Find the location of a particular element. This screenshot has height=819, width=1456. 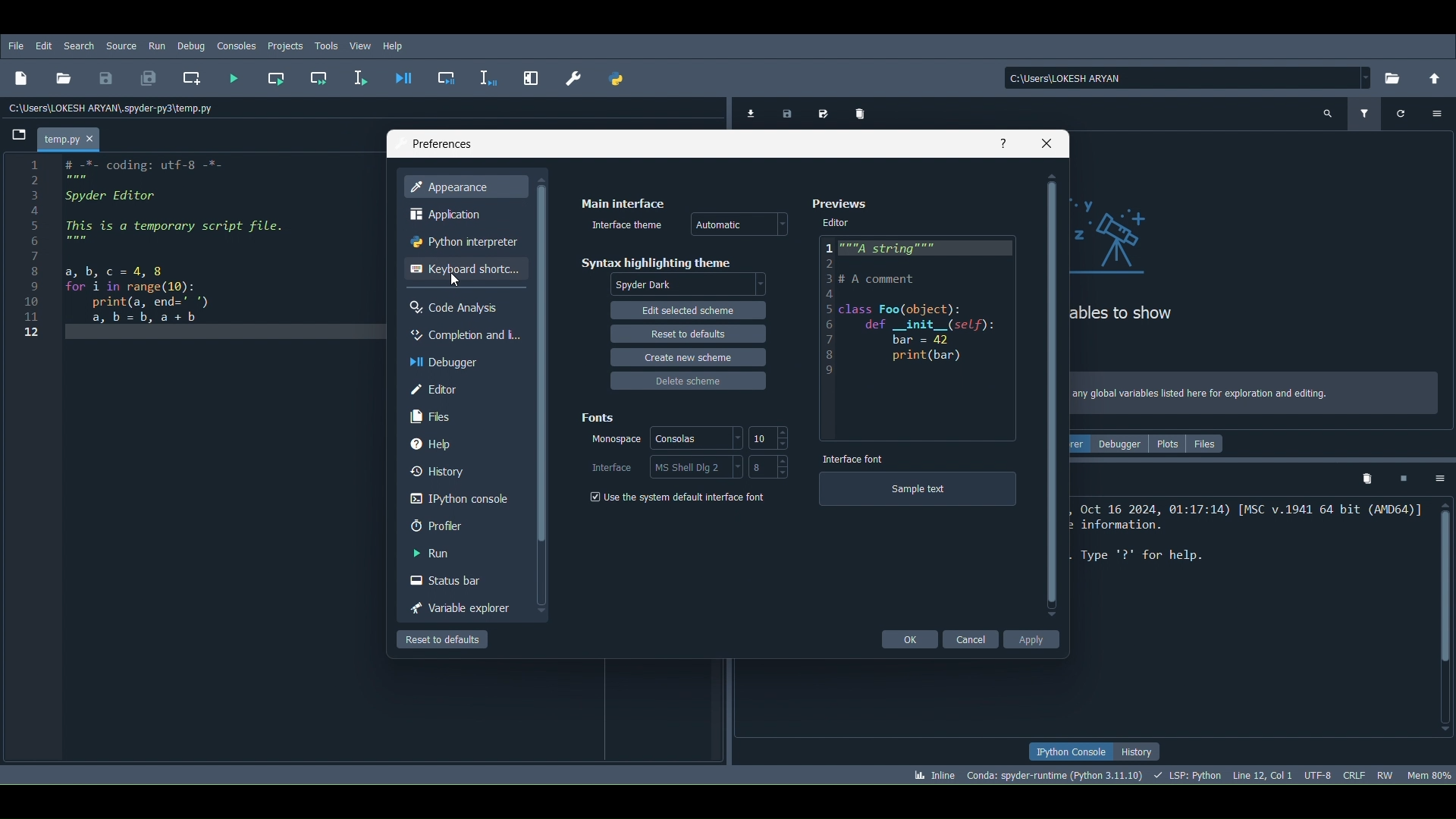

Interface is located at coordinates (610, 467).